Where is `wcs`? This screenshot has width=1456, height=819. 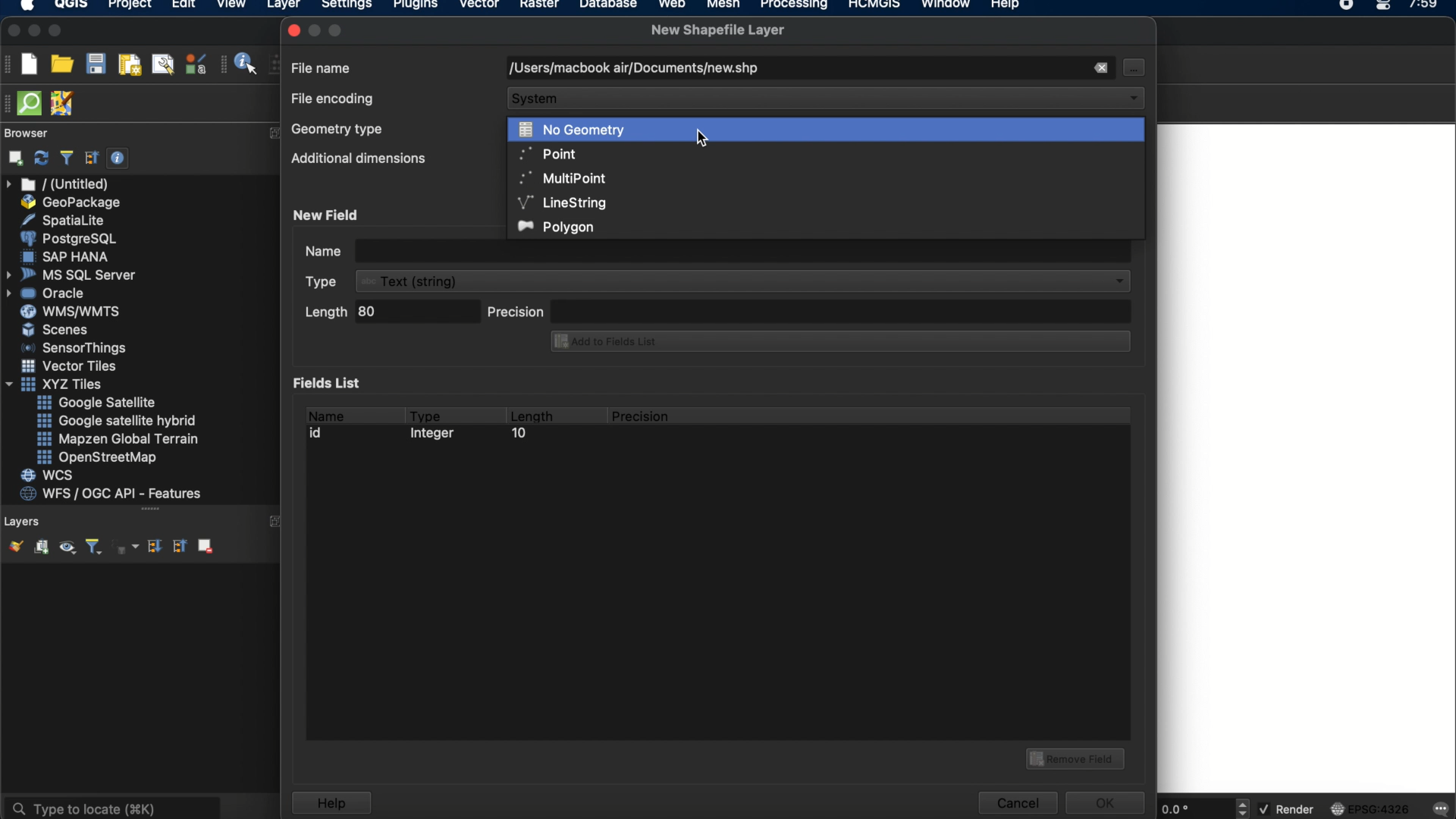 wcs is located at coordinates (49, 476).